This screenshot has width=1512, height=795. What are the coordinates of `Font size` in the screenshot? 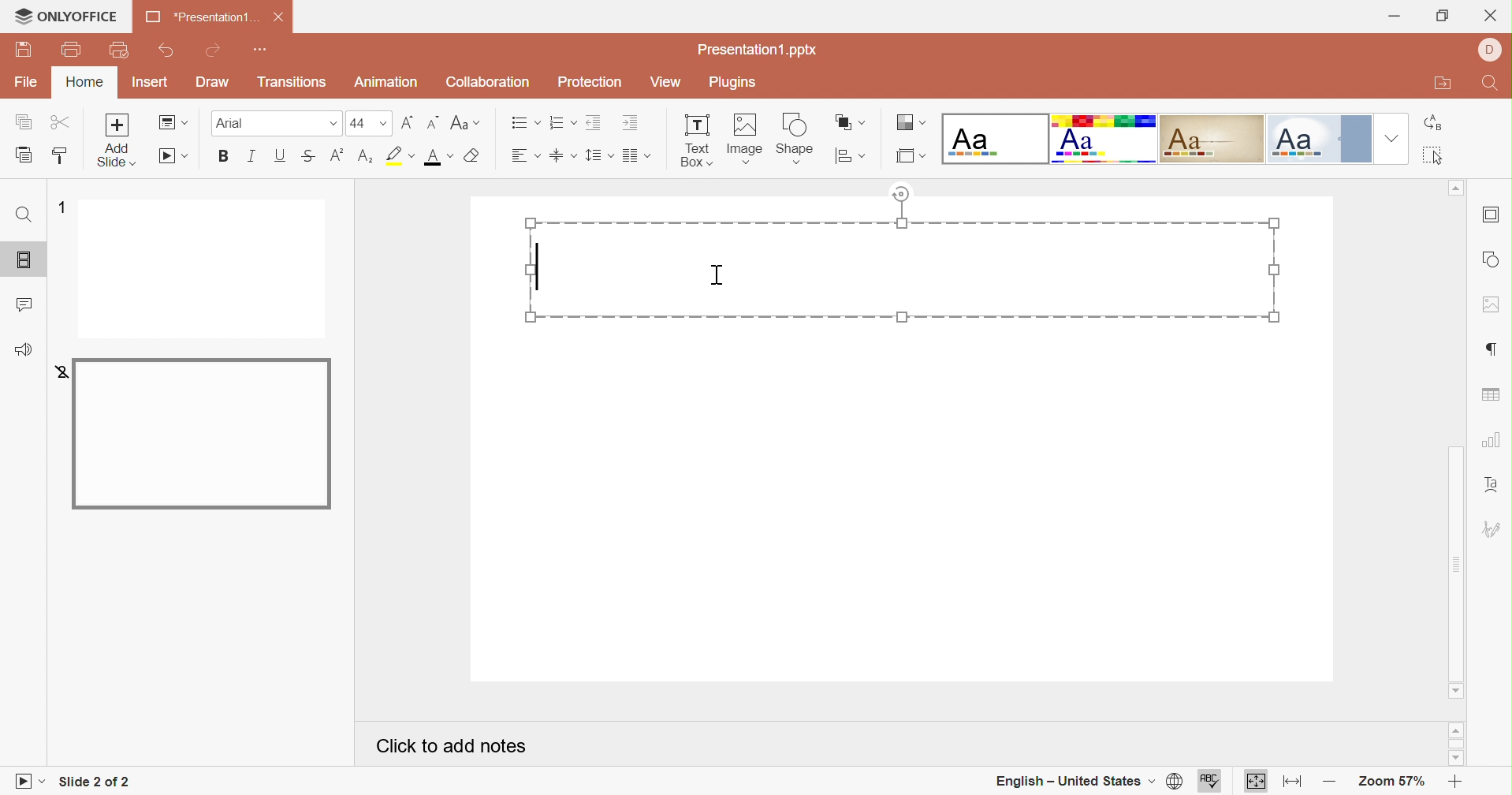 It's located at (367, 123).